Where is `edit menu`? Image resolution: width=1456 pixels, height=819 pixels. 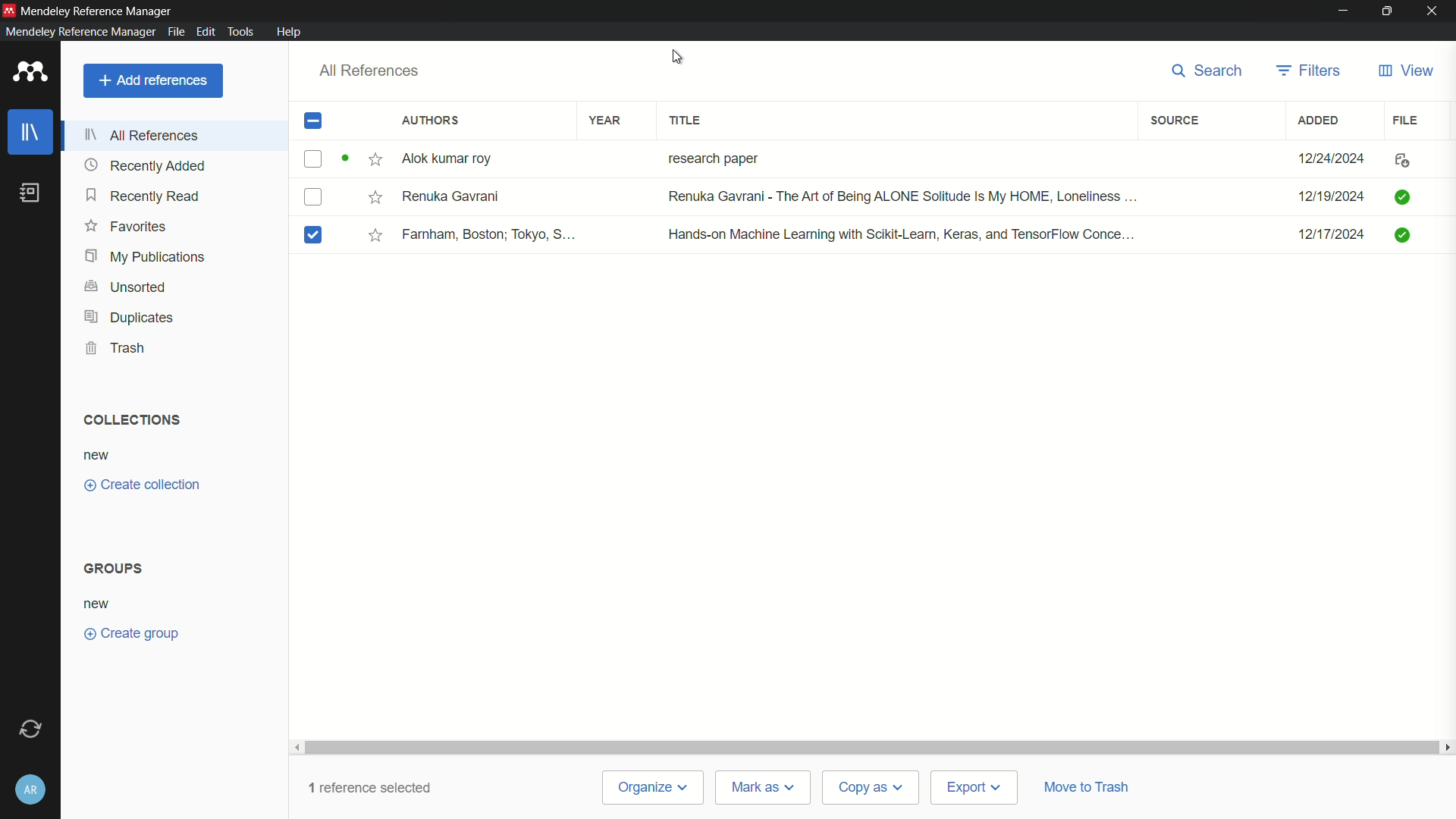 edit menu is located at coordinates (206, 32).